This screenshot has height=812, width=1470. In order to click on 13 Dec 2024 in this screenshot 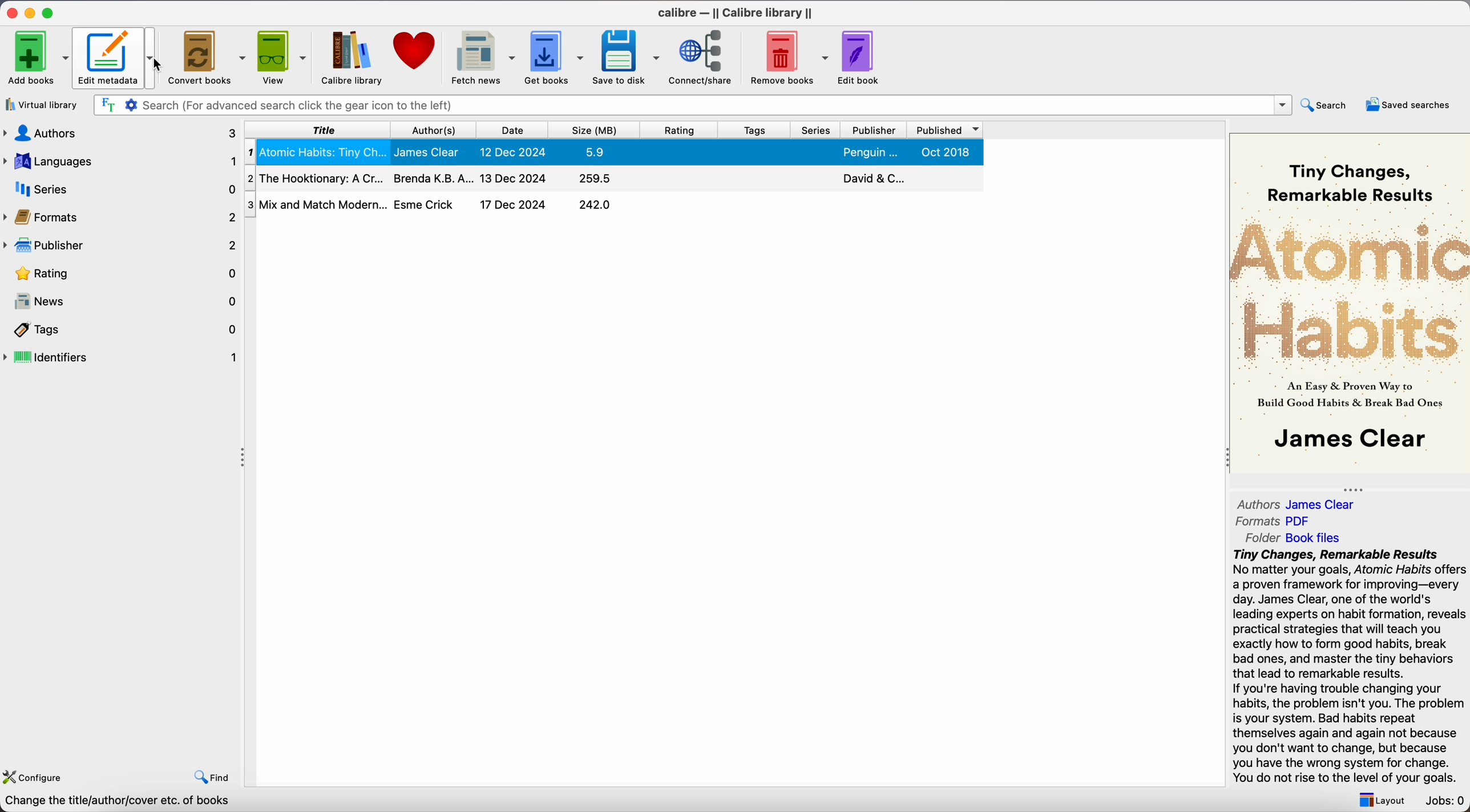, I will do `click(514, 177)`.